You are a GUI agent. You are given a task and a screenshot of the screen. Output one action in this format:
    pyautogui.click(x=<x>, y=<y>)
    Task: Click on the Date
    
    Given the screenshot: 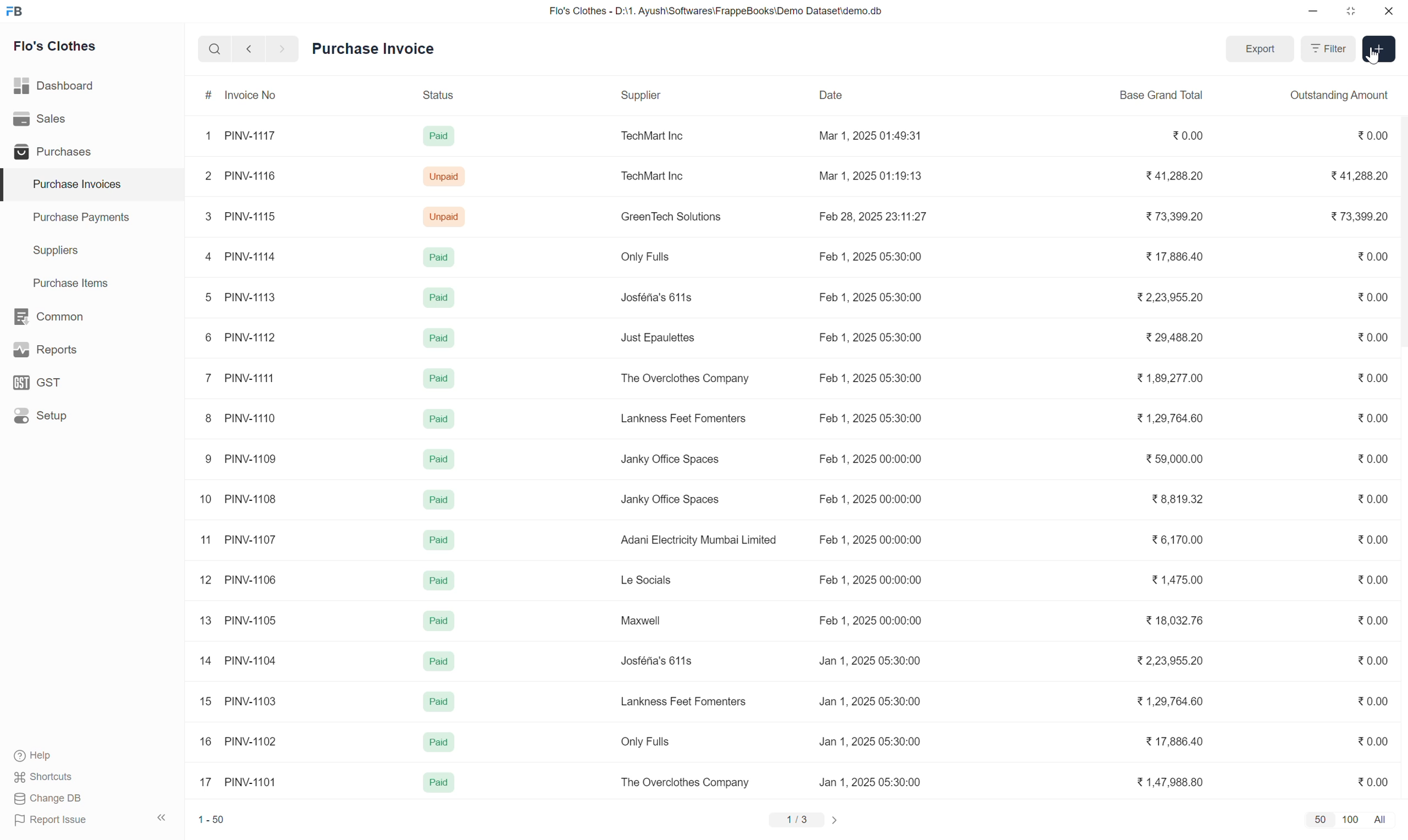 What is the action you would take?
    pyautogui.click(x=879, y=96)
    